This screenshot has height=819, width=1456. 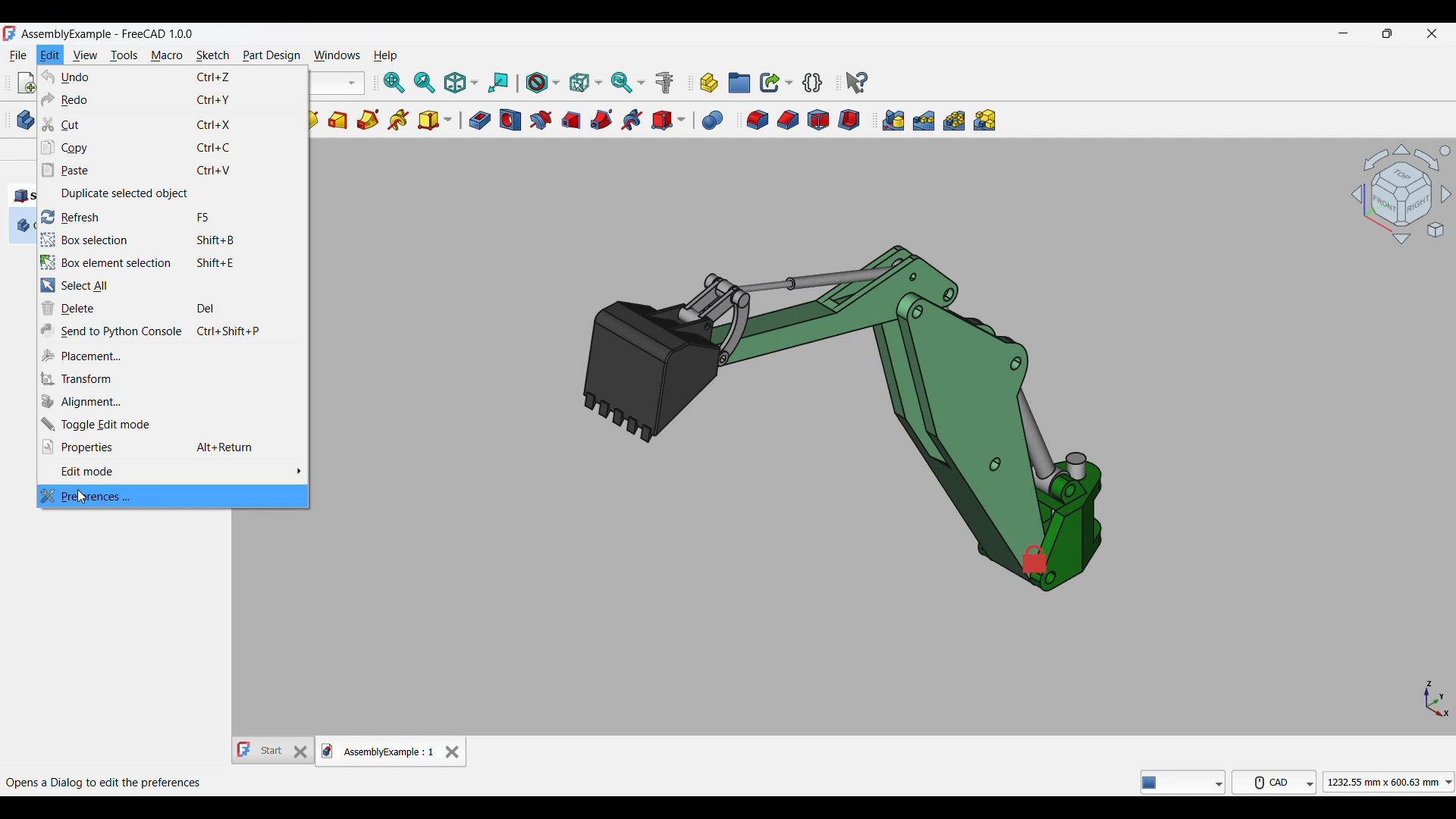 I want to click on What's this, so click(x=857, y=83).